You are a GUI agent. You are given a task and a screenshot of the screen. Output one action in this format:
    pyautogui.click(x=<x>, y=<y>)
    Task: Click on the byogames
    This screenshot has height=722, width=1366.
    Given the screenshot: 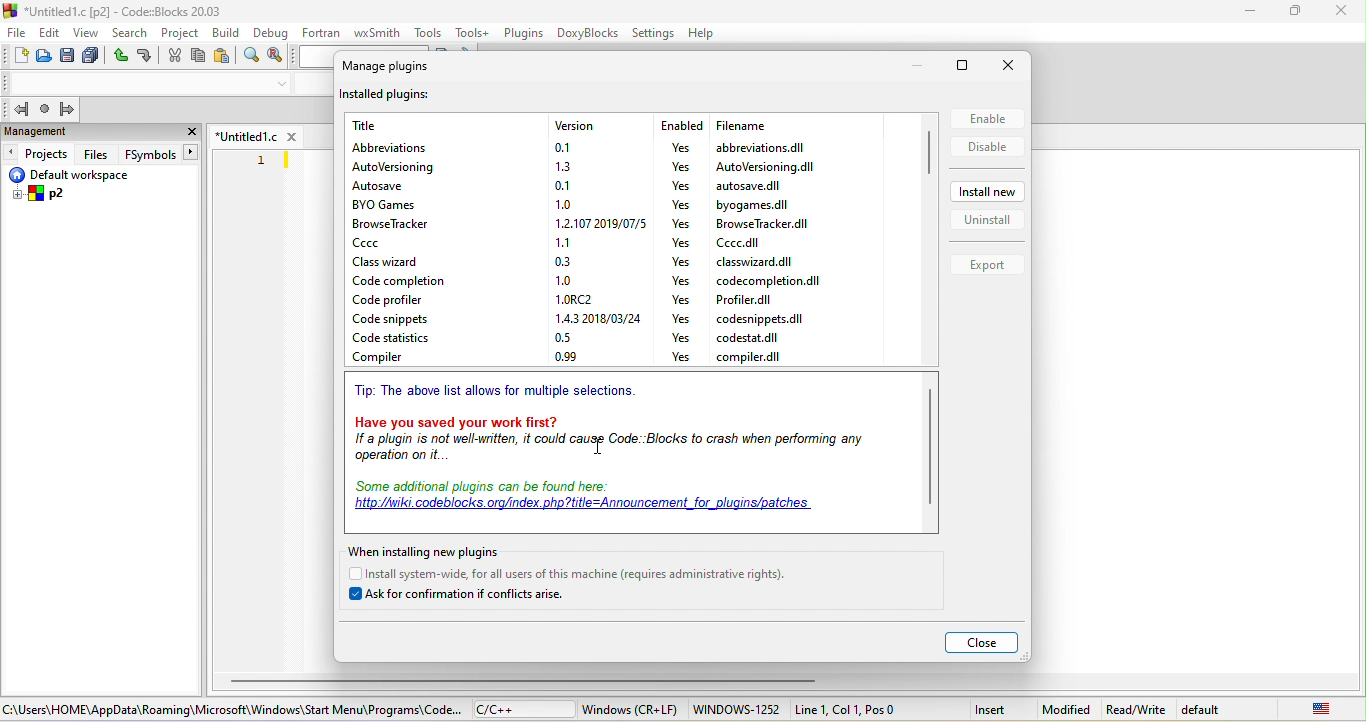 What is the action you would take?
    pyautogui.click(x=751, y=203)
    